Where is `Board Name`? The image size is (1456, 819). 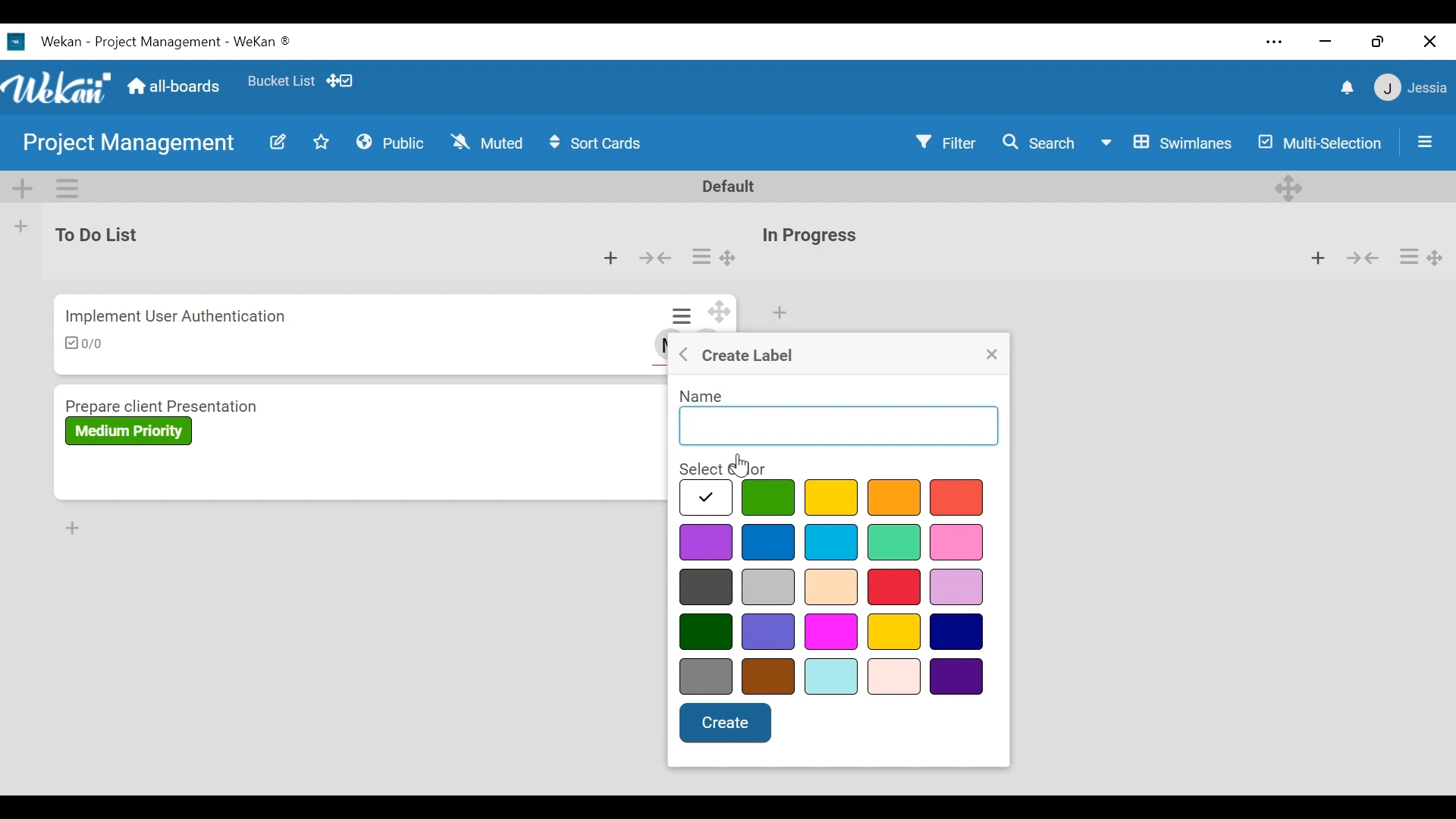 Board Name is located at coordinates (131, 145).